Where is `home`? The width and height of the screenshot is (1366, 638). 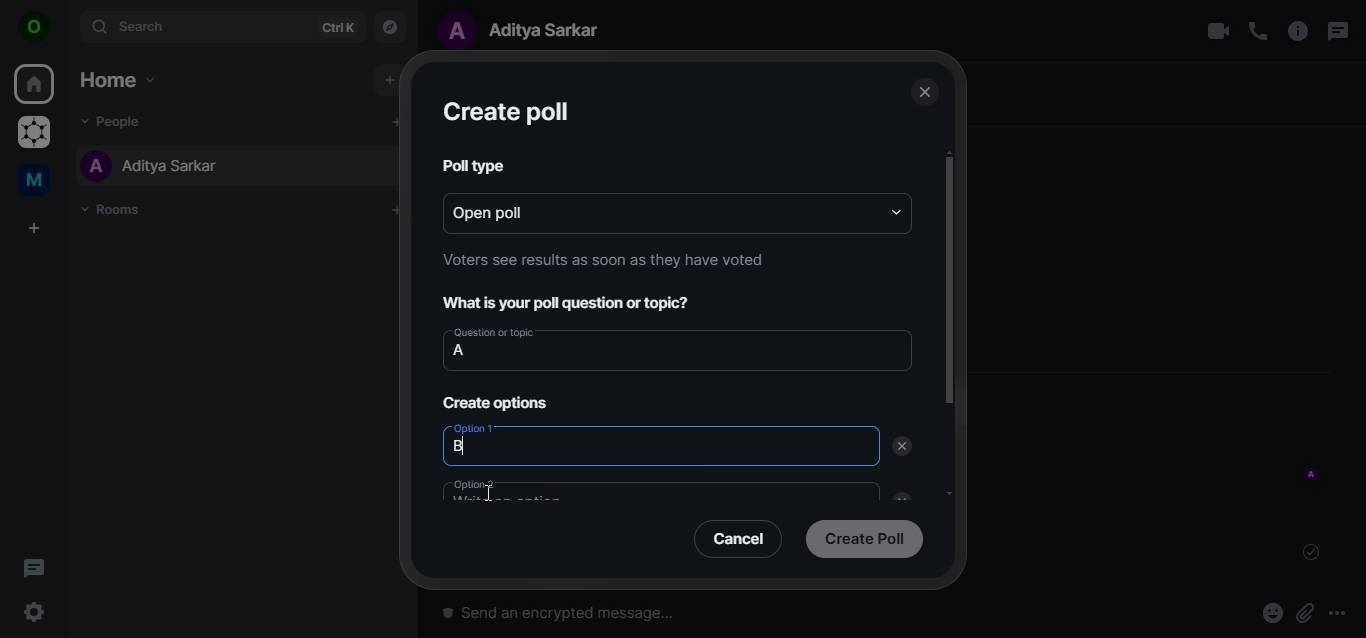
home is located at coordinates (116, 79).